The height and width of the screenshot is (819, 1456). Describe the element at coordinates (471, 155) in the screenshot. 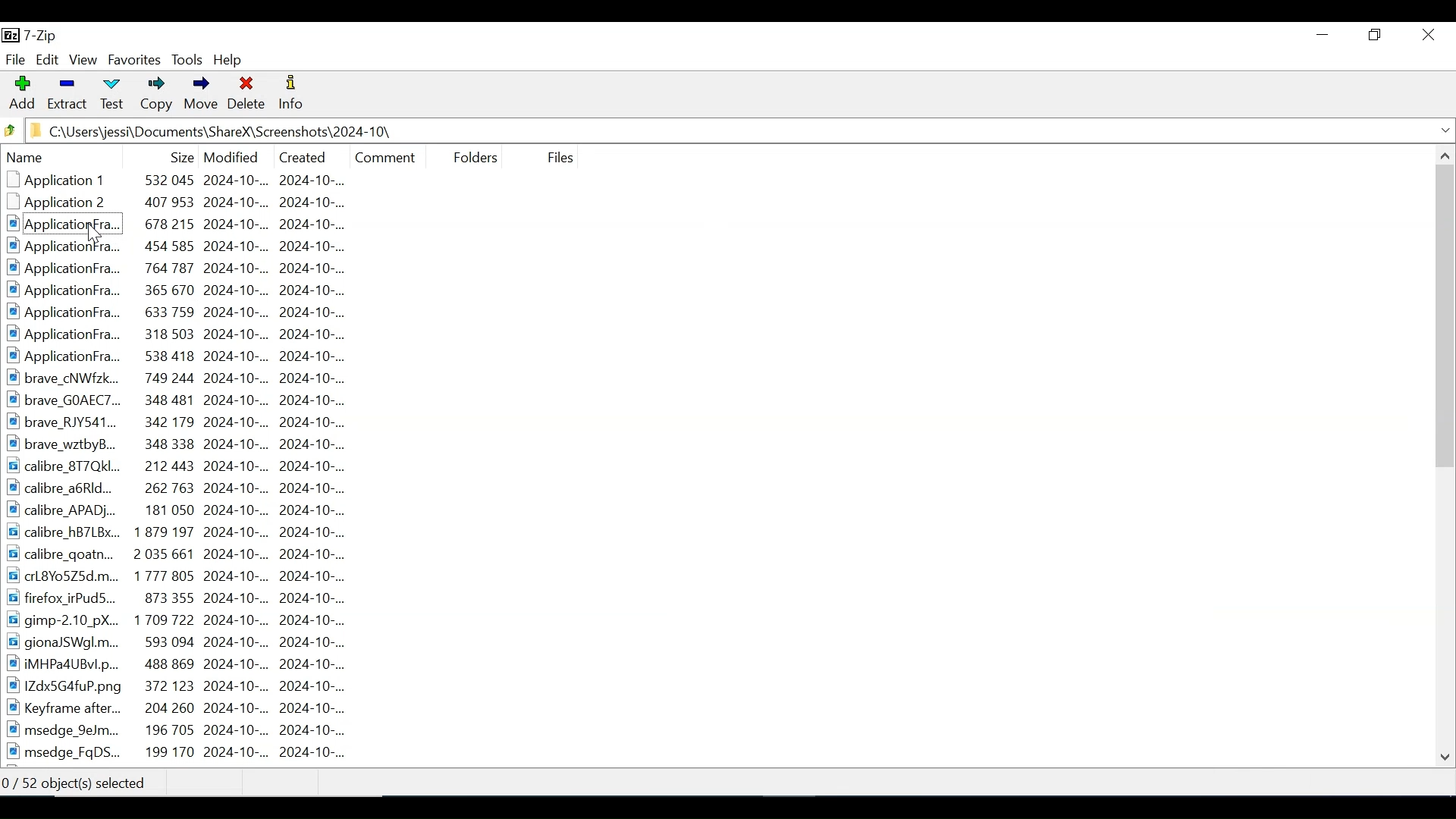

I see `Folders` at that location.